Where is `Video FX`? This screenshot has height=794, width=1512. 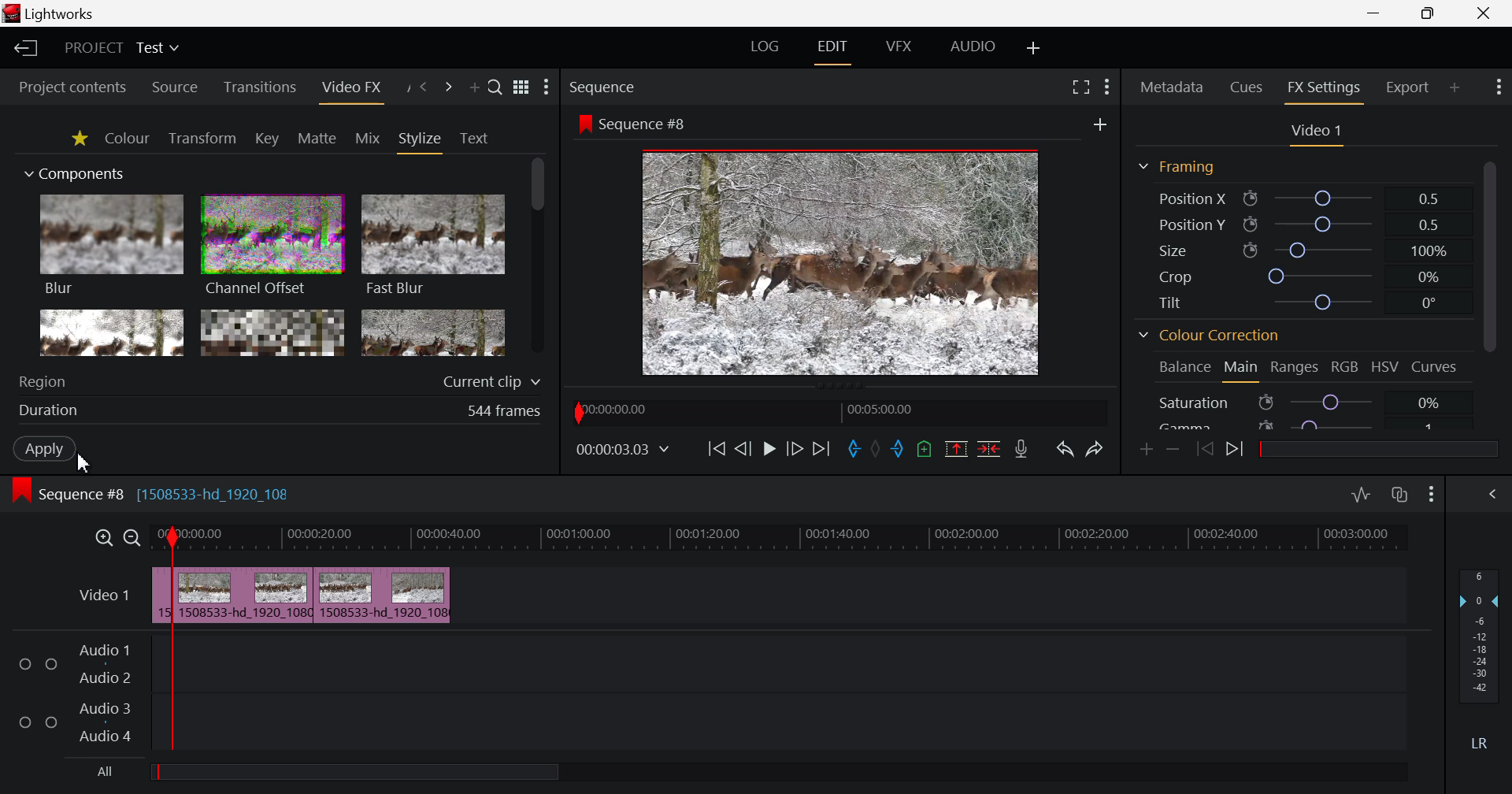
Video FX is located at coordinates (350, 88).